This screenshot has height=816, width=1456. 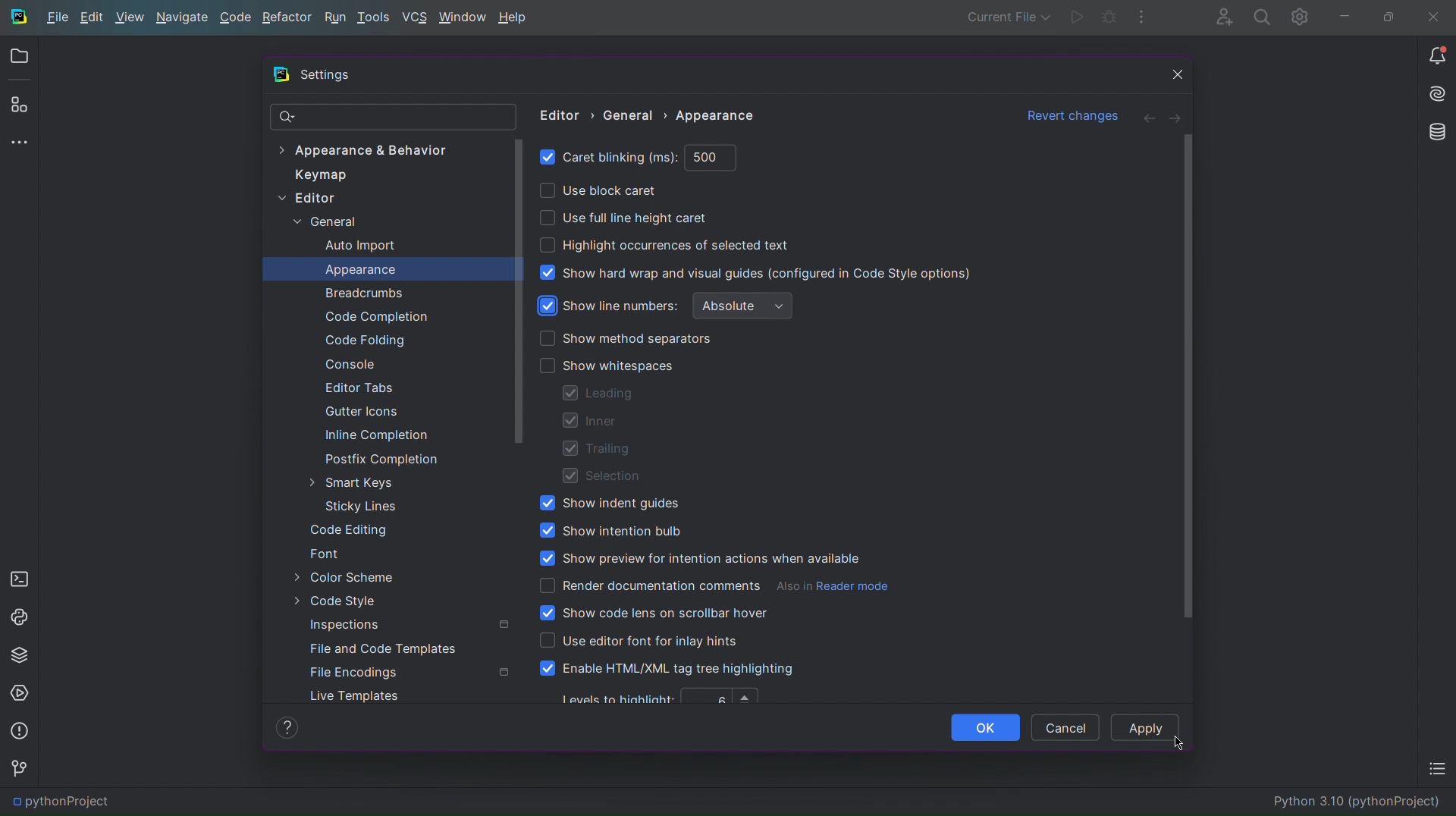 What do you see at coordinates (416, 17) in the screenshot?
I see `VCS` at bounding box center [416, 17].